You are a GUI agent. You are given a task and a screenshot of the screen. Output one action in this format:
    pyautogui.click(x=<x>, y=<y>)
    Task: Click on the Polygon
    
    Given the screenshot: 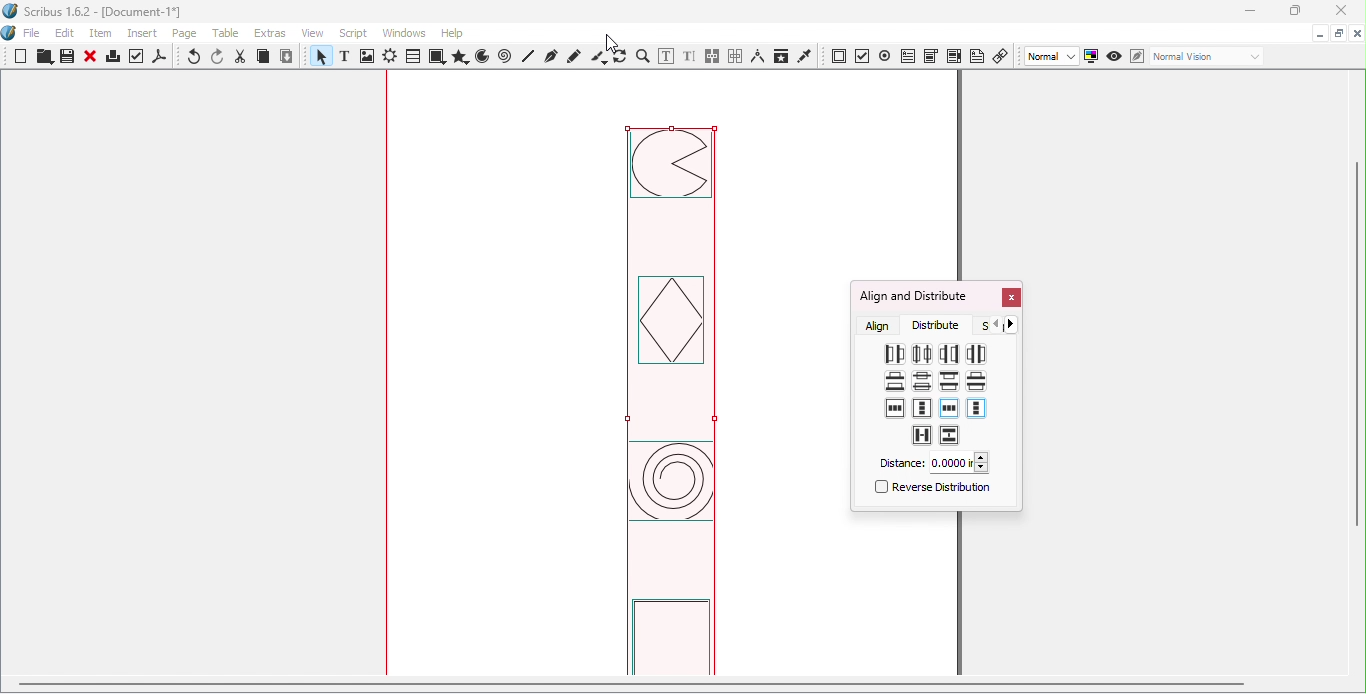 What is the action you would take?
    pyautogui.click(x=458, y=57)
    